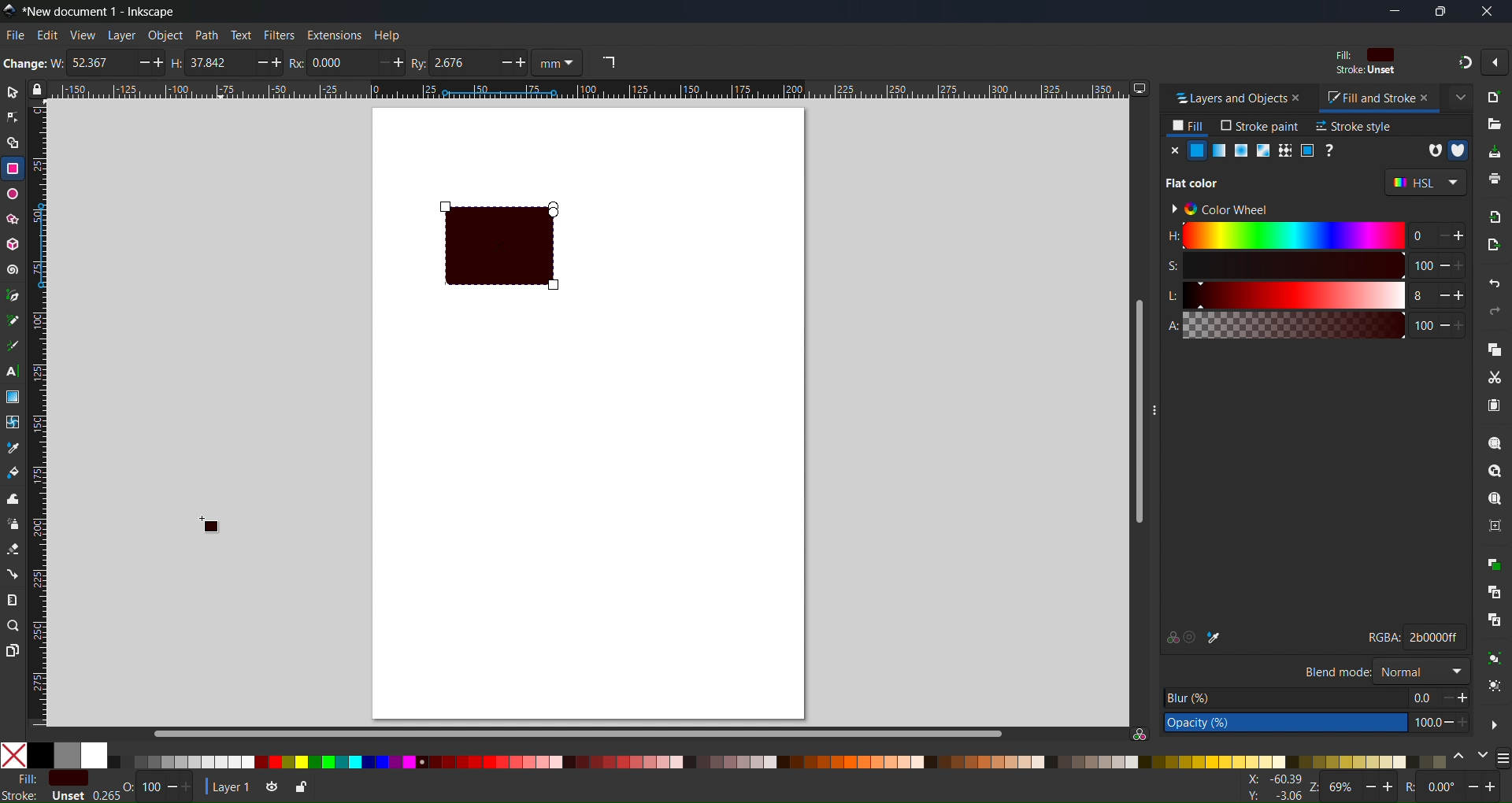  Describe the element at coordinates (69, 755) in the screenshot. I see `50% Grey` at that location.